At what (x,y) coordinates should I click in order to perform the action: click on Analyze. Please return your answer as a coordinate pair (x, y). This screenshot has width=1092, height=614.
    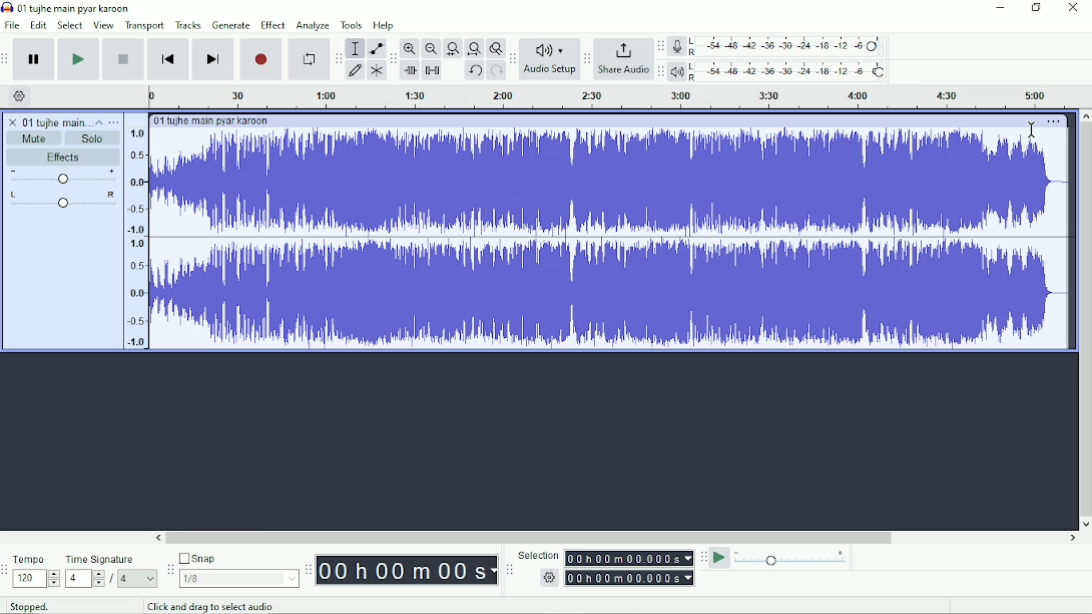
    Looking at the image, I should click on (314, 25).